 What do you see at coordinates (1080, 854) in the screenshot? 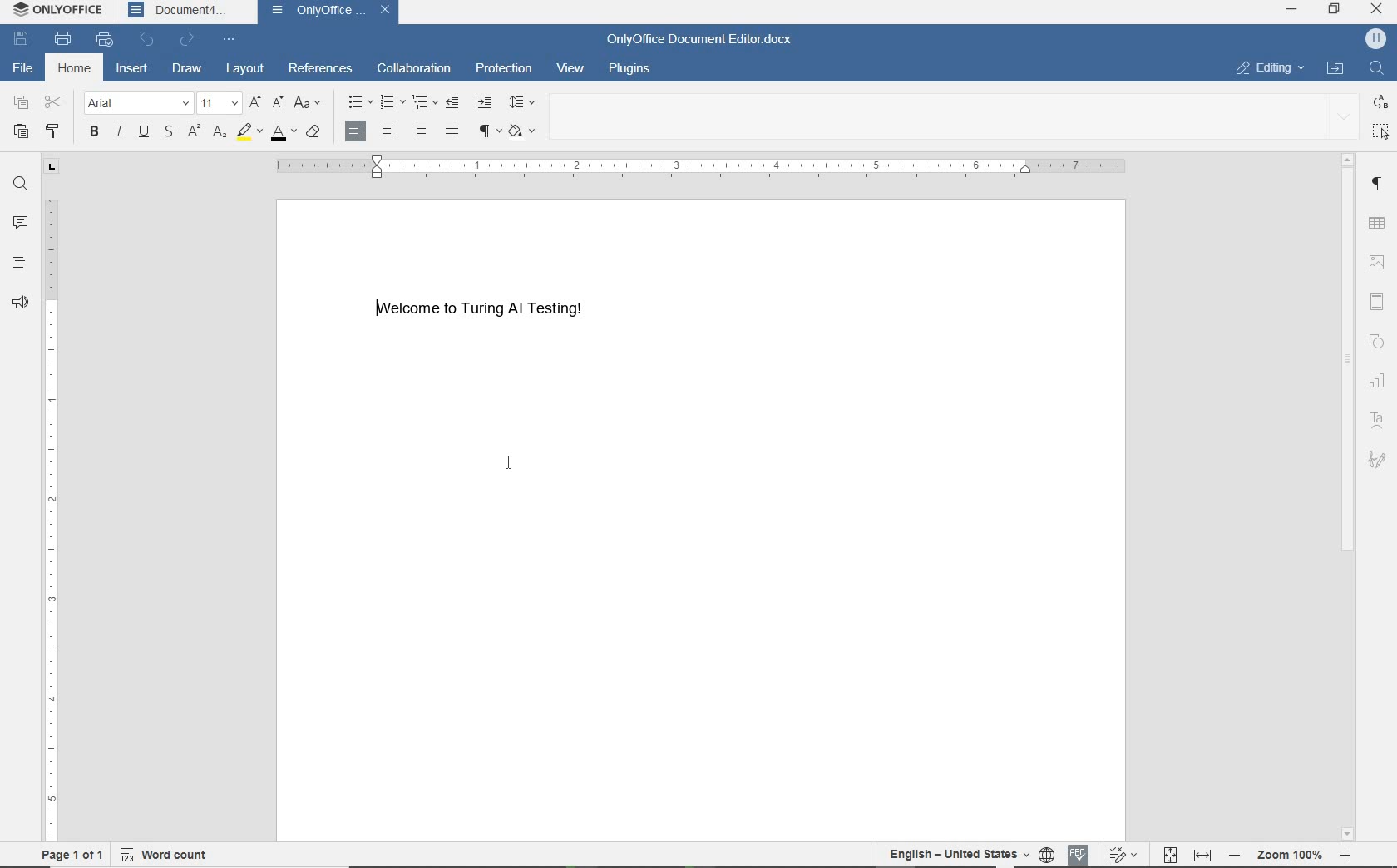
I see `spell checking` at bounding box center [1080, 854].